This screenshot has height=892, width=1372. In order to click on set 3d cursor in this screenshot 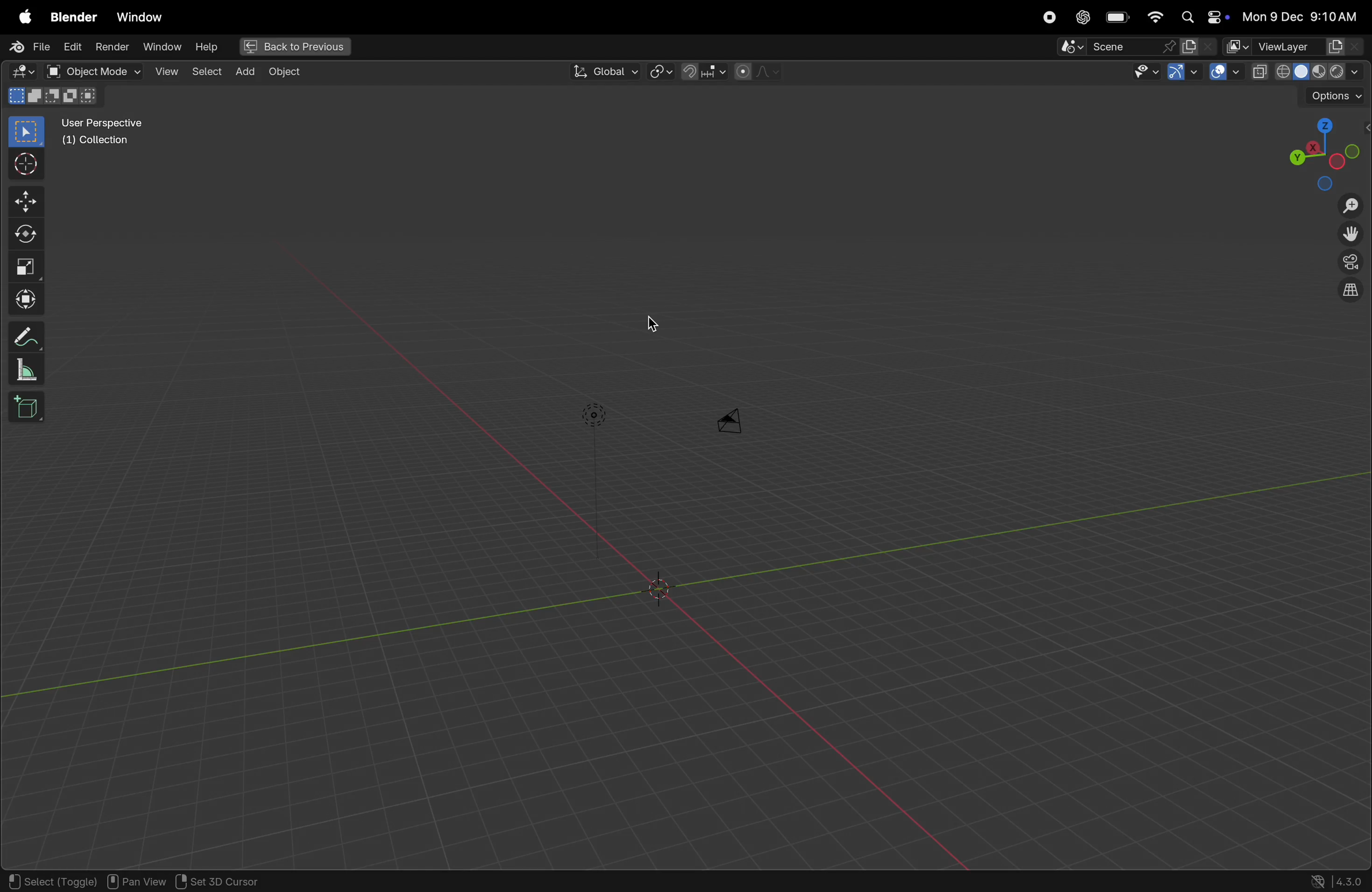, I will do `click(227, 882)`.